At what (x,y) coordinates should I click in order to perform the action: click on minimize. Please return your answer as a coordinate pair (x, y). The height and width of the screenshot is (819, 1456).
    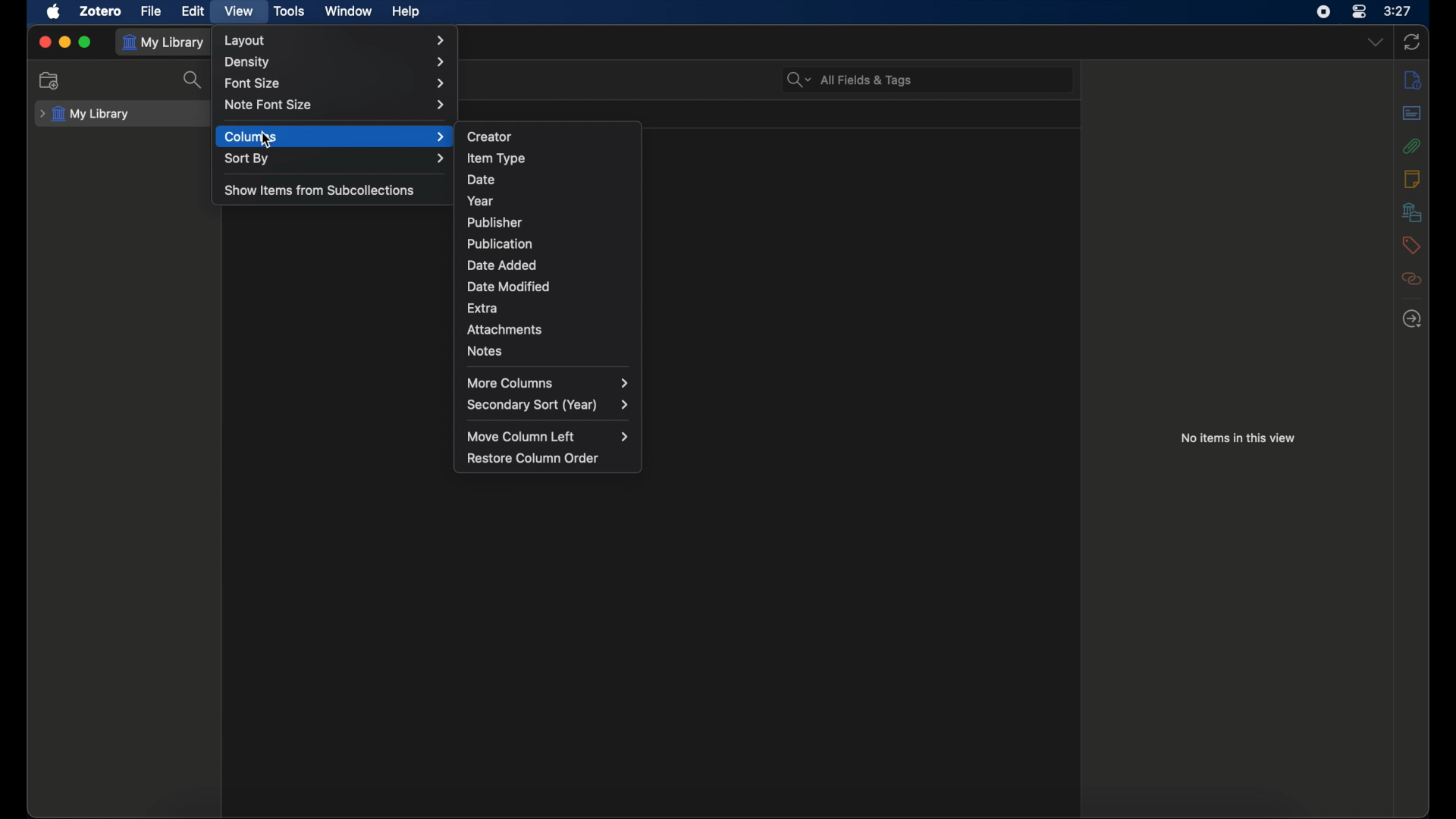
    Looking at the image, I should click on (65, 42).